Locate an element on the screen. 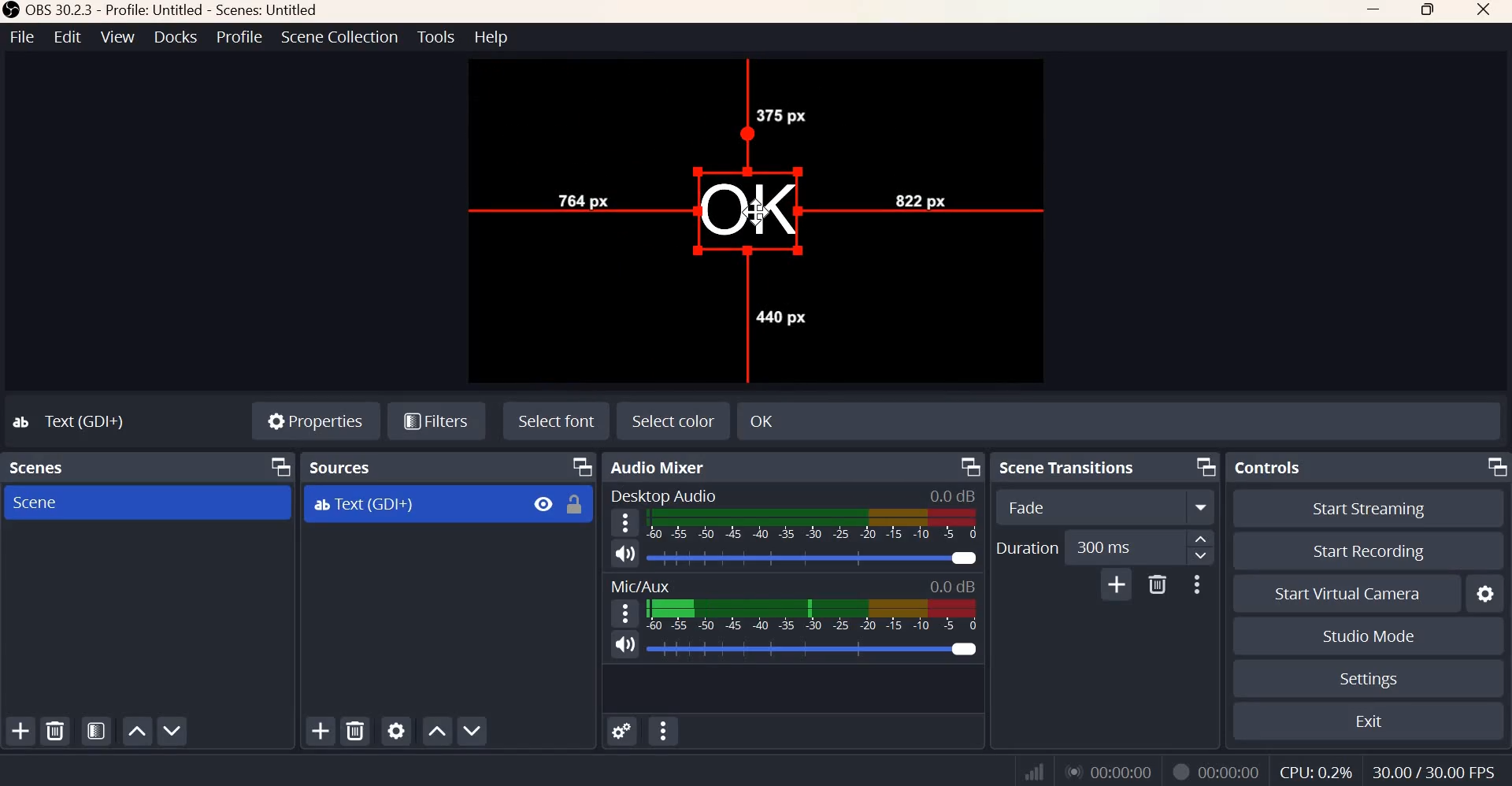 The width and height of the screenshot is (1512, 786). Connection Status Indicator is located at coordinates (1035, 769).